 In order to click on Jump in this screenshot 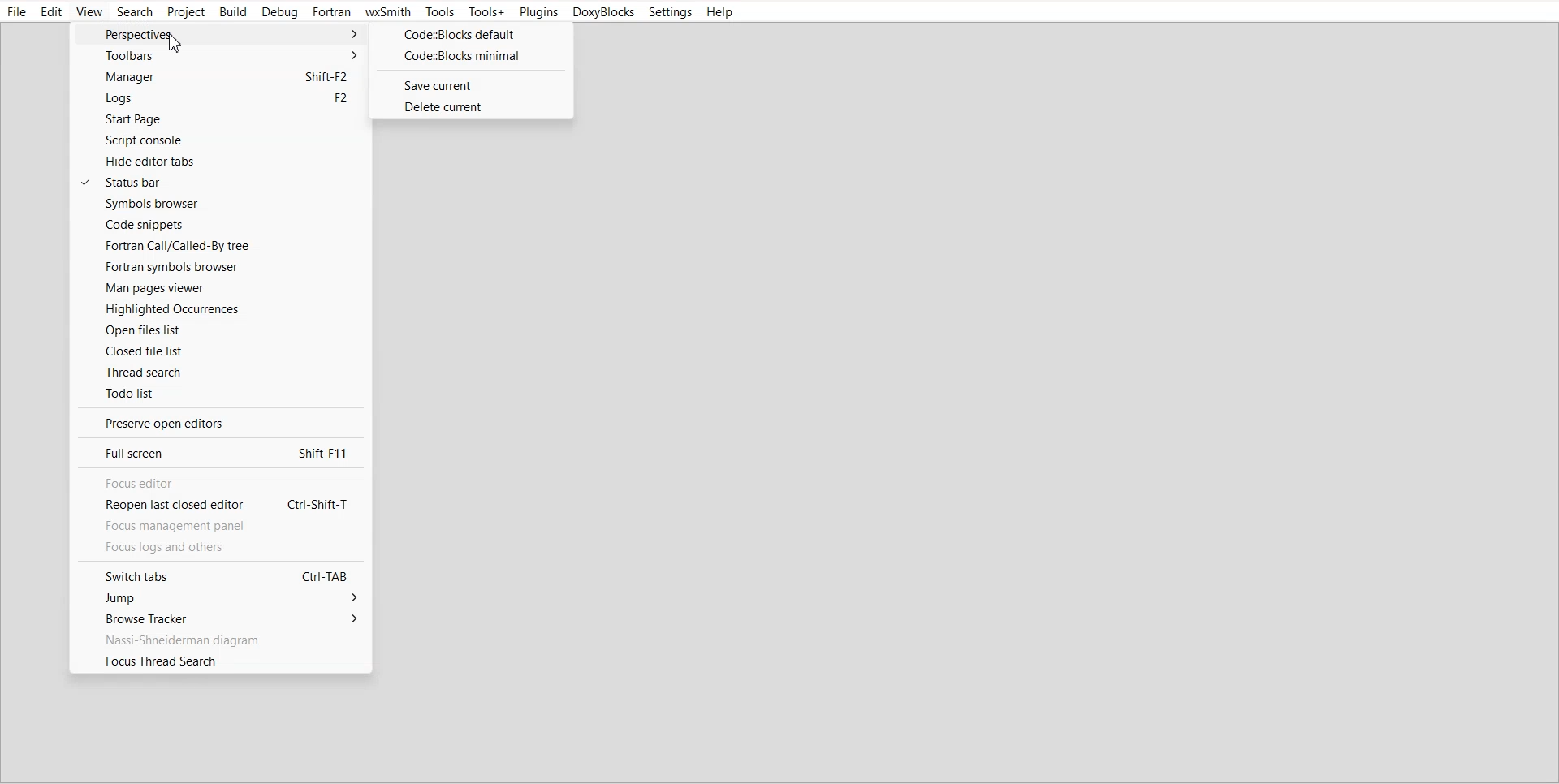, I will do `click(218, 599)`.